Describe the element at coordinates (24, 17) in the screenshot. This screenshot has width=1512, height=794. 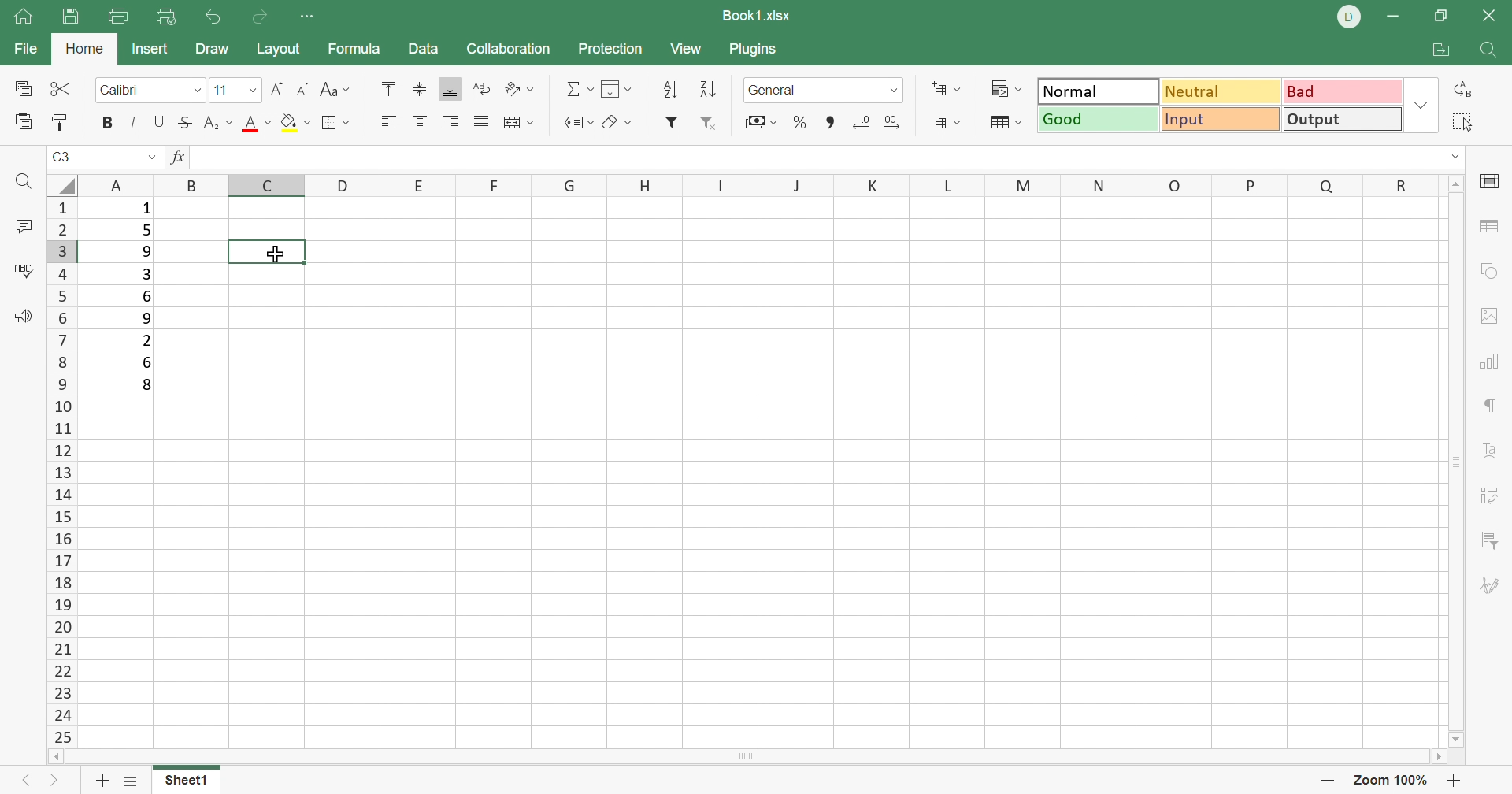
I see `Home` at that location.